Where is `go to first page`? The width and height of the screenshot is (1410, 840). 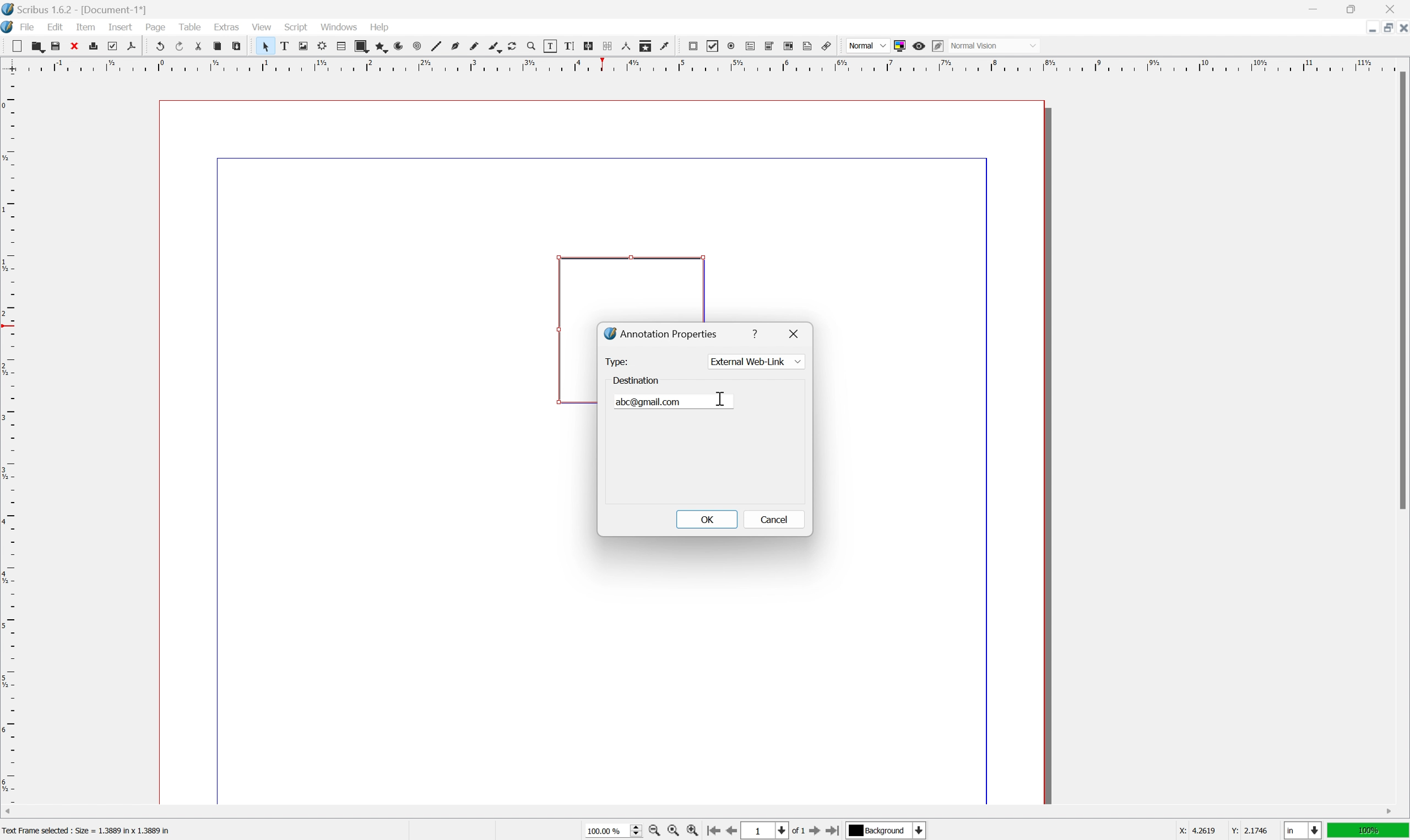
go to first page is located at coordinates (713, 832).